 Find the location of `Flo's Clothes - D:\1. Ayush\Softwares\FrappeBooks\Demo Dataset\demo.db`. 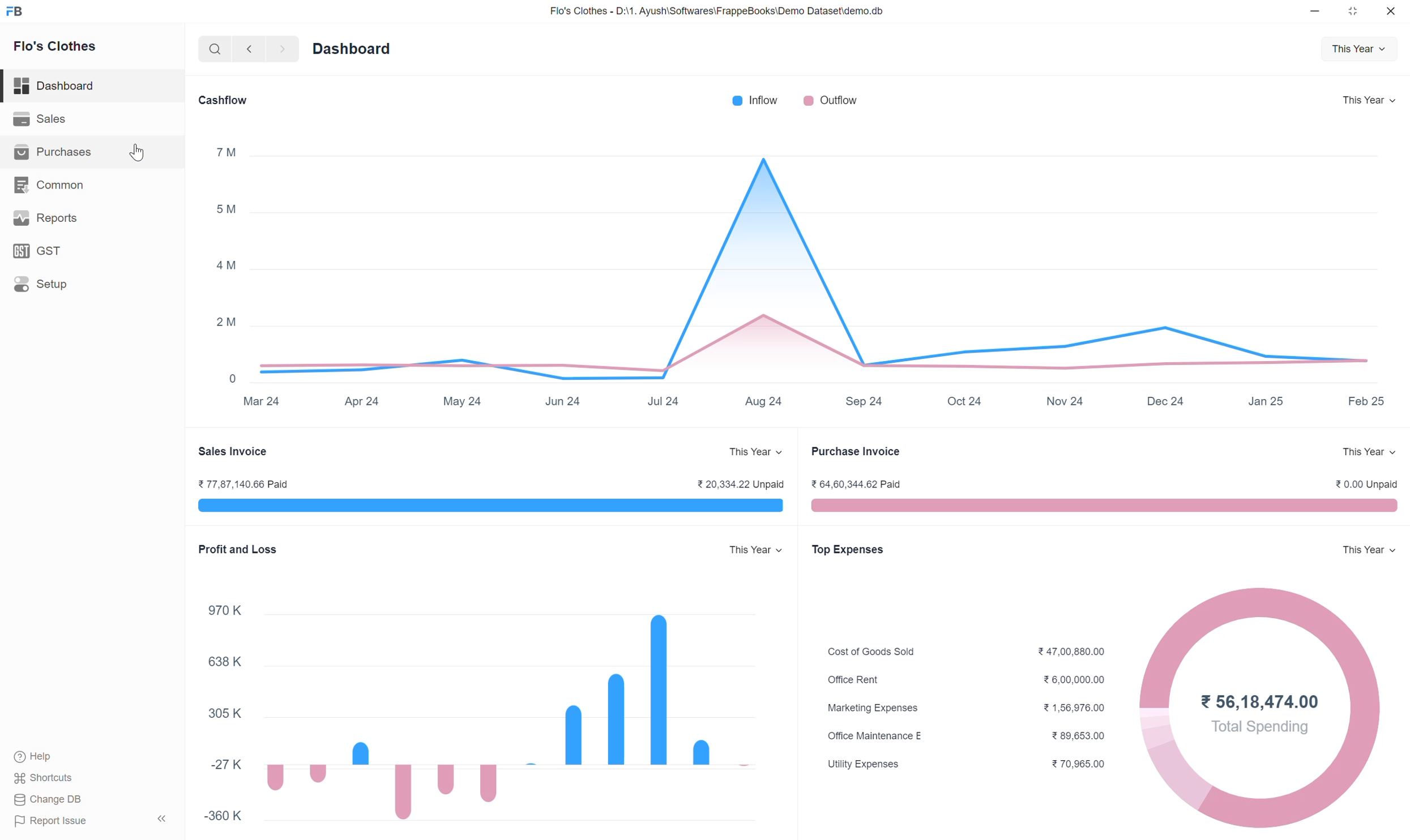

Flo's Clothes - D:\1. Ayush\Softwares\FrappeBooks\Demo Dataset\demo.db is located at coordinates (717, 11).